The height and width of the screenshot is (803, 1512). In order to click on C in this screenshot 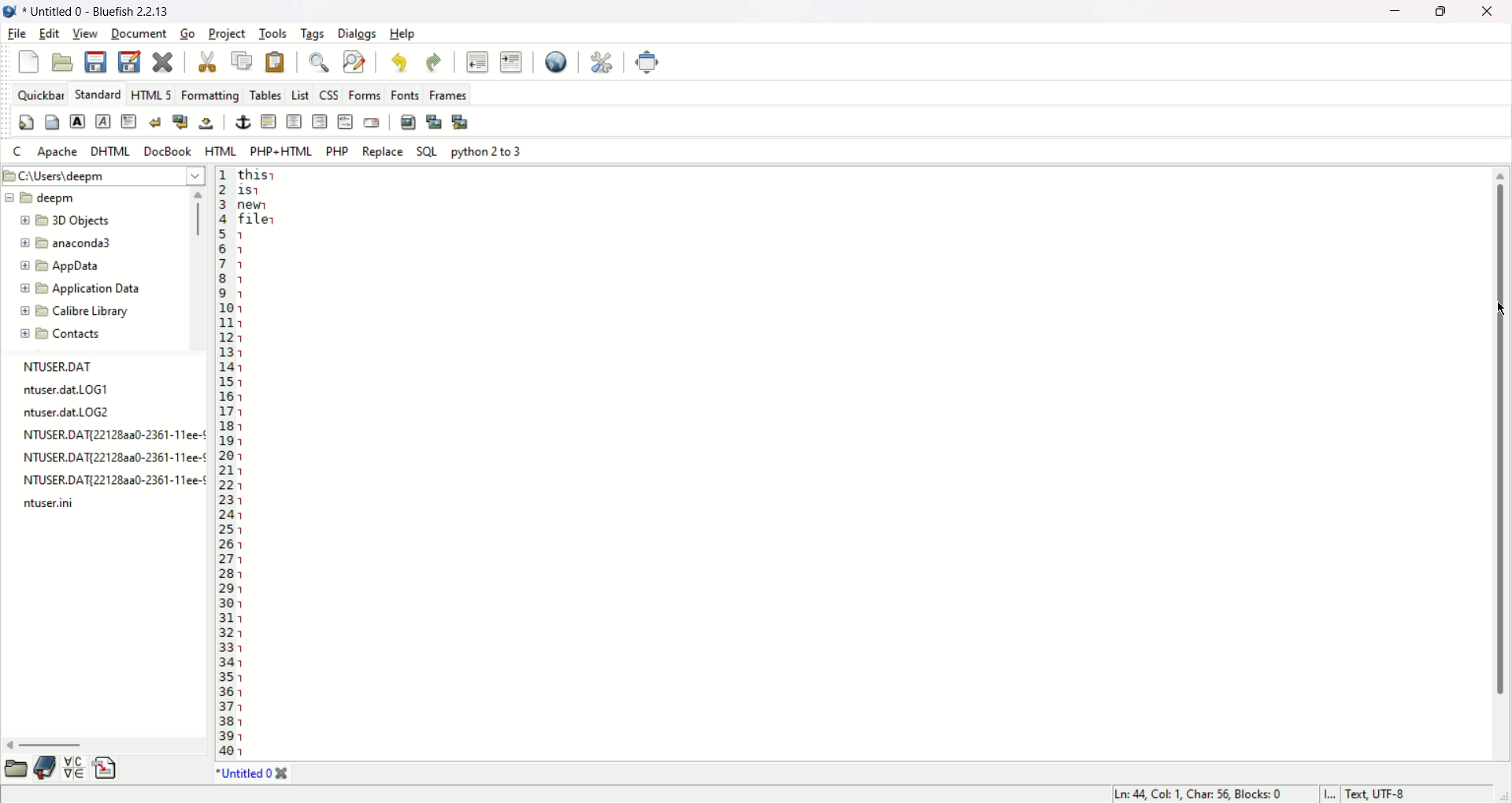, I will do `click(17, 152)`.